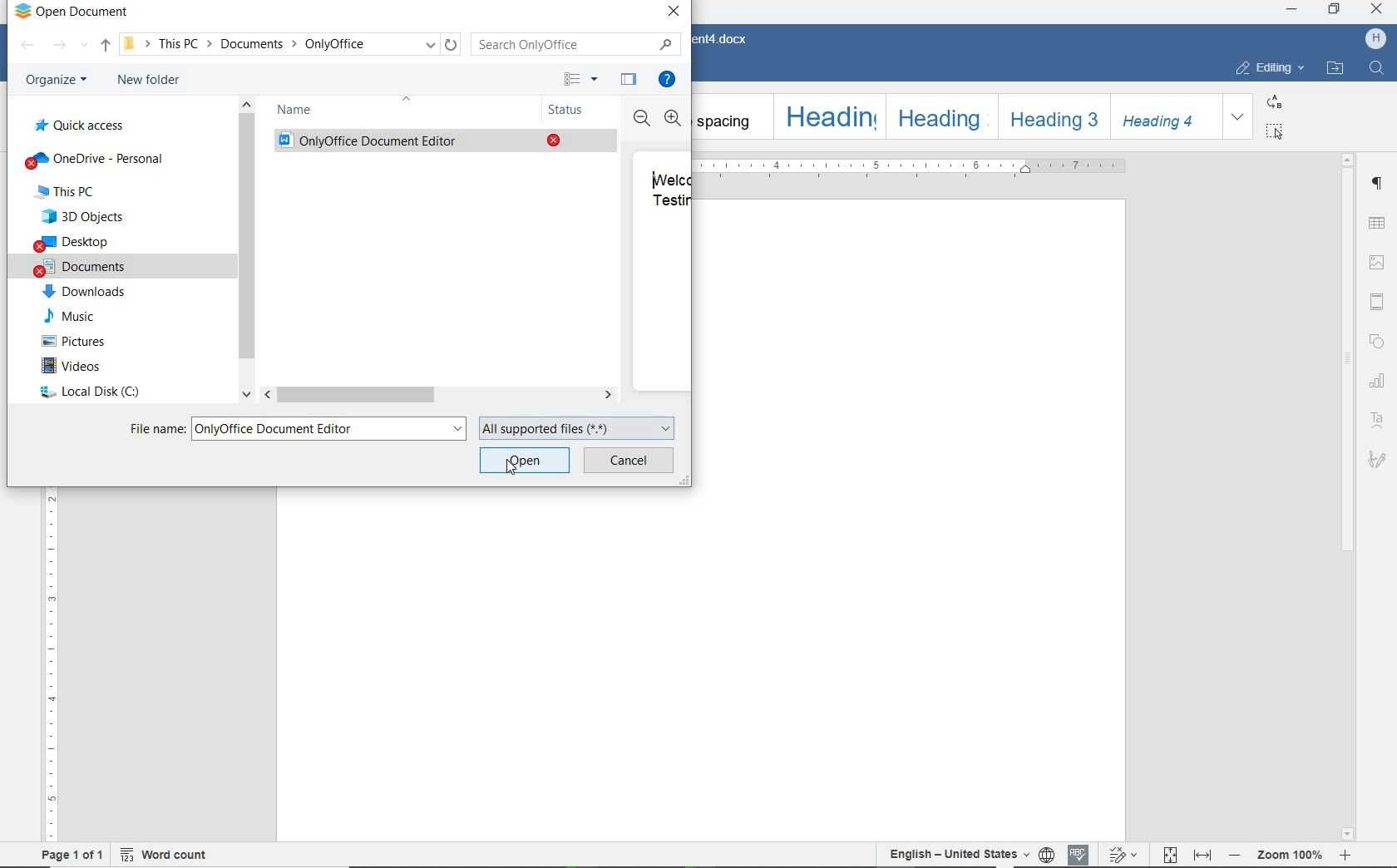  Describe the element at coordinates (80, 217) in the screenshot. I see `3D Objects` at that location.